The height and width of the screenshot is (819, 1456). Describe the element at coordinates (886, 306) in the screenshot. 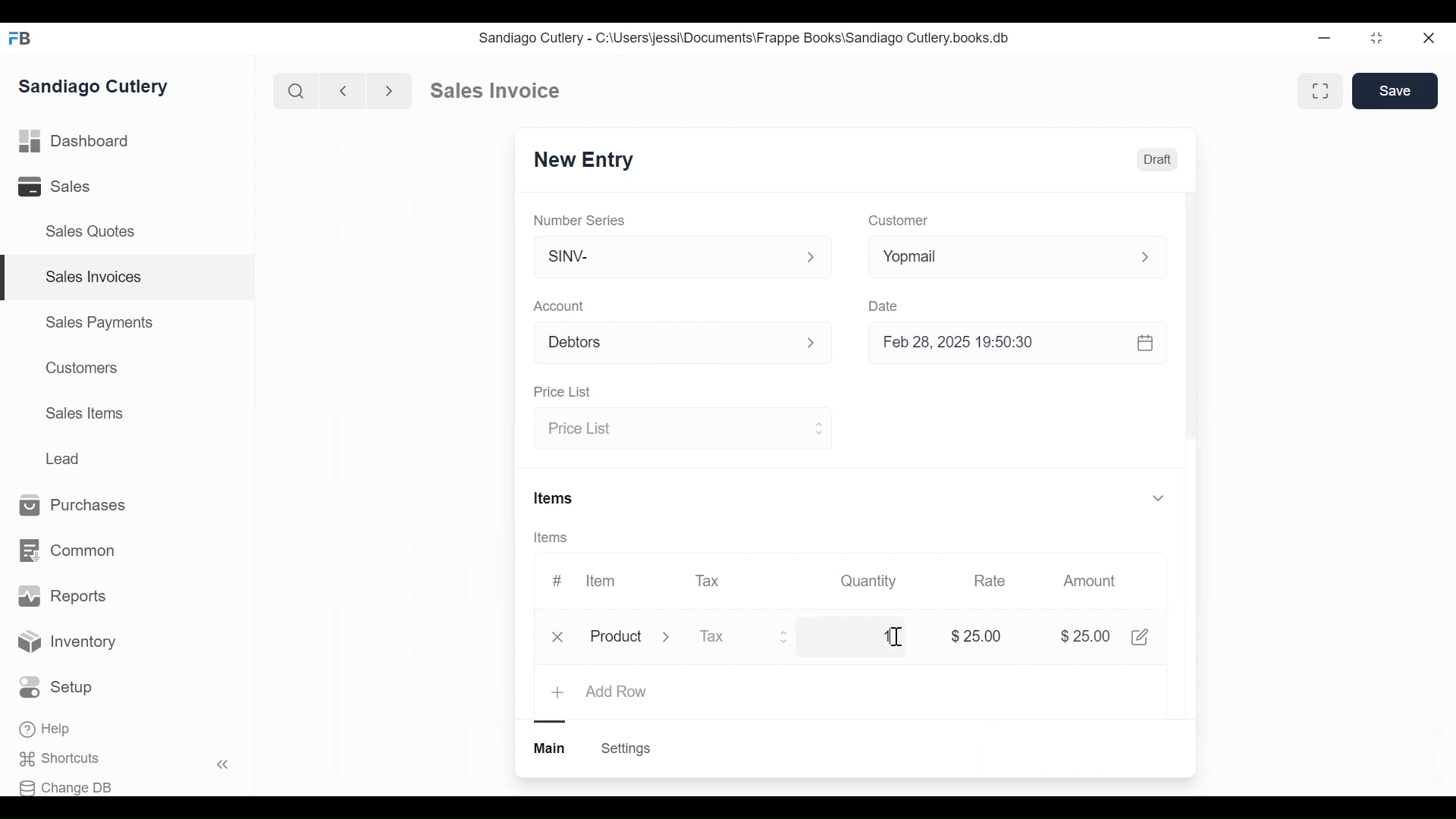

I see `Date` at that location.